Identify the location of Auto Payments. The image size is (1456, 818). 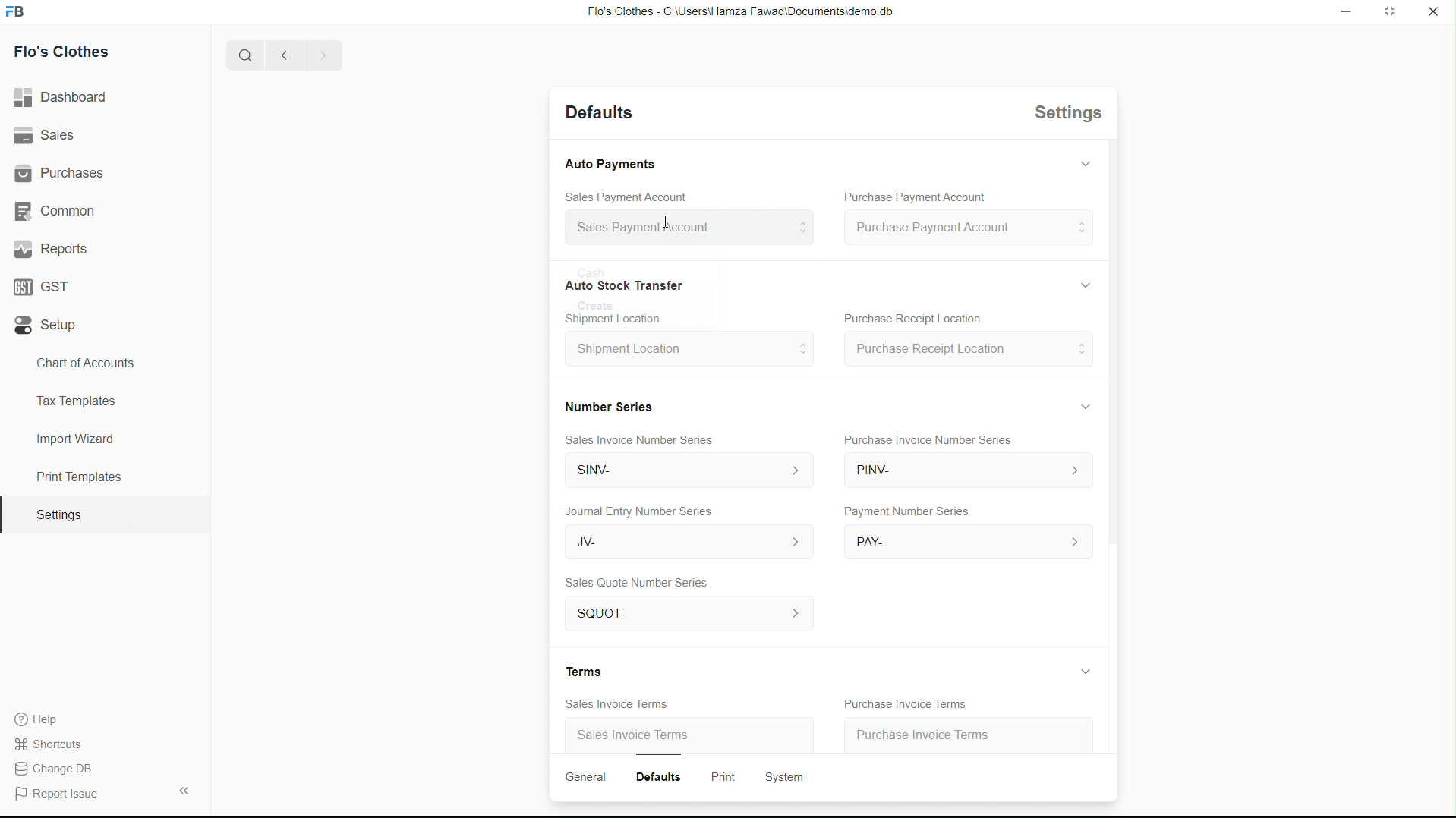
(608, 164).